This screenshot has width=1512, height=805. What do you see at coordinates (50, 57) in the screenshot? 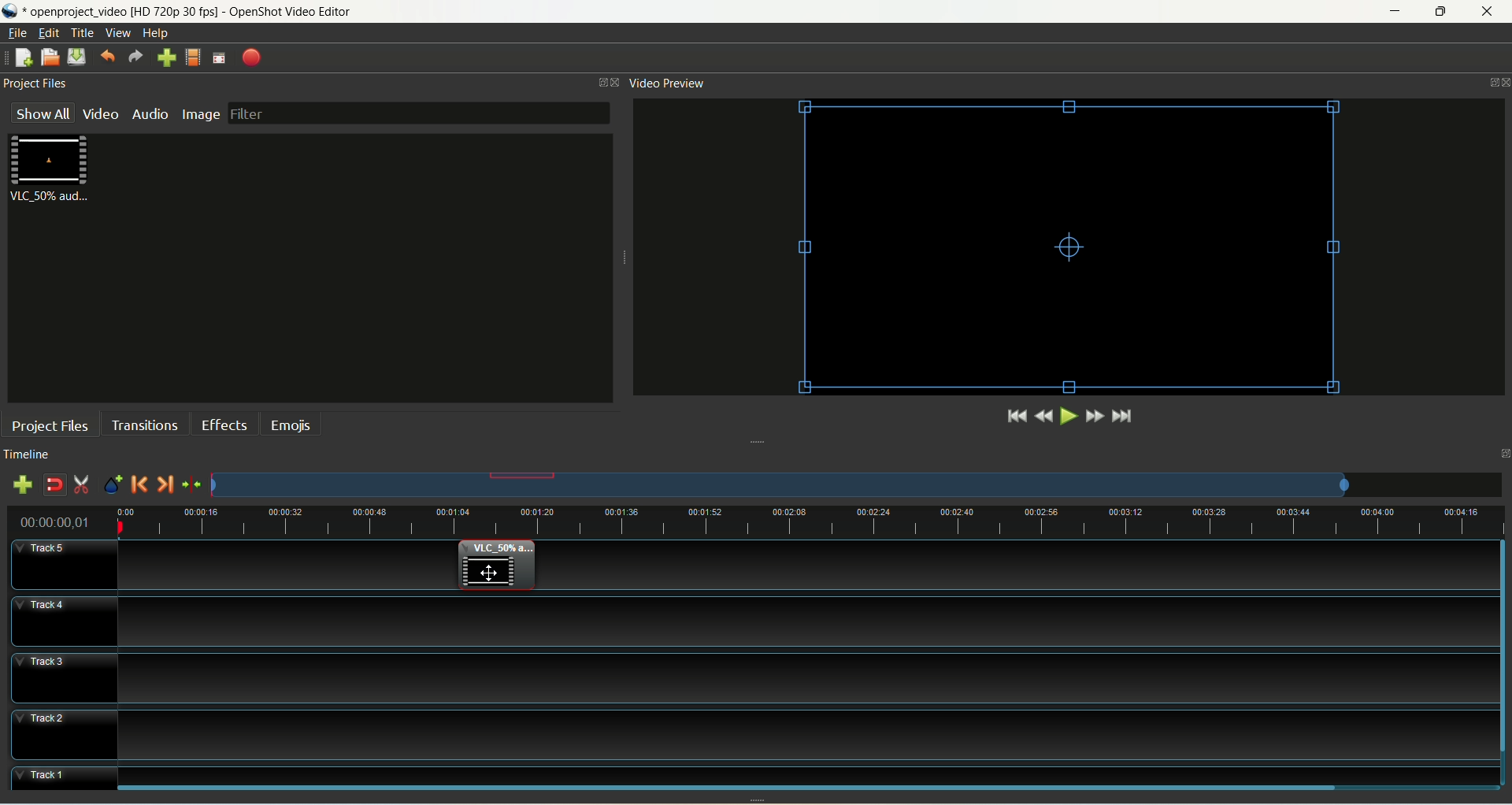
I see `open project` at bounding box center [50, 57].